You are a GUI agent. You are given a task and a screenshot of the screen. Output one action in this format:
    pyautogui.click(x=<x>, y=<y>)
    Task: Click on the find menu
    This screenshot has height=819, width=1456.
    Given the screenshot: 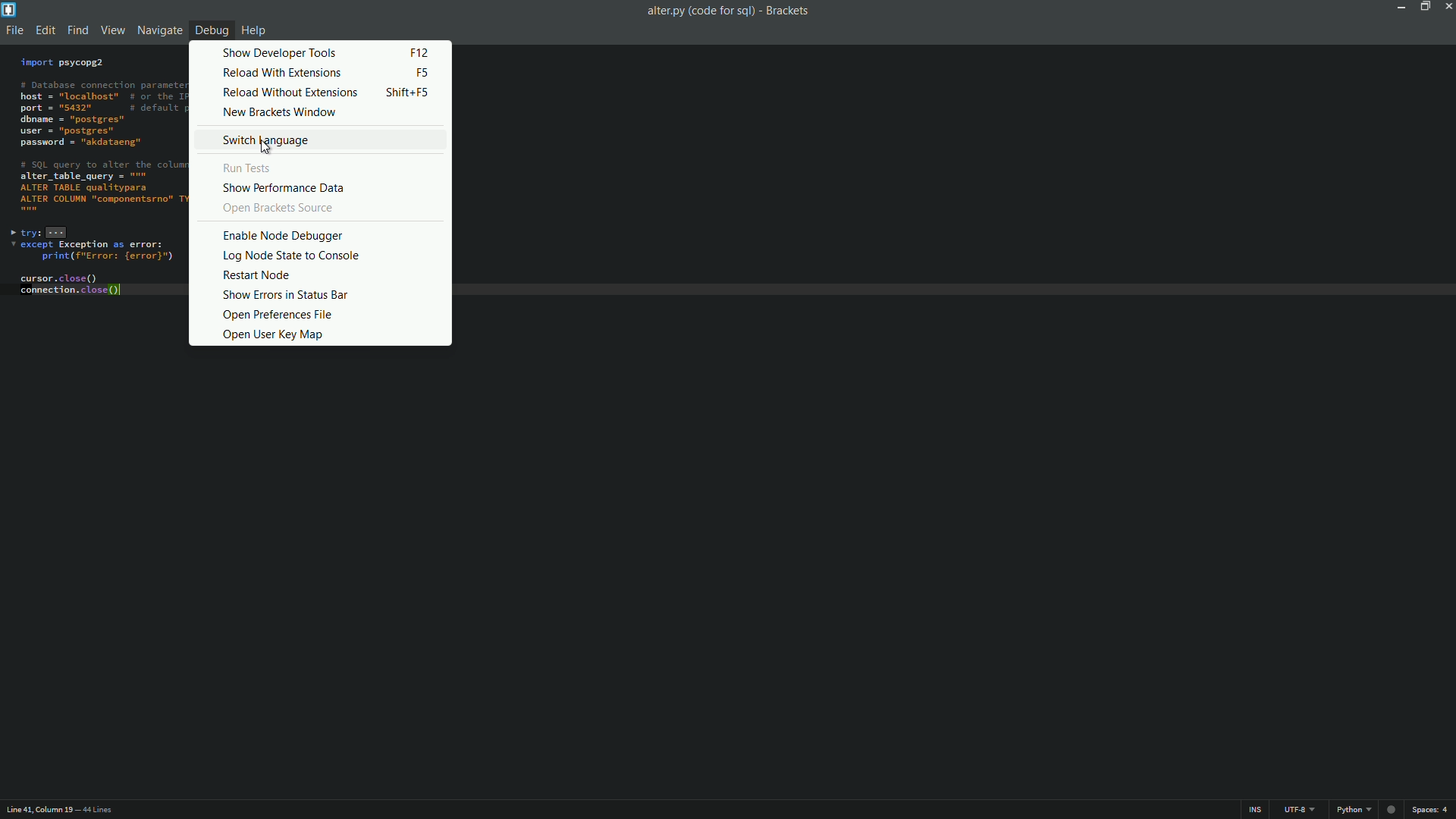 What is the action you would take?
    pyautogui.click(x=78, y=30)
    